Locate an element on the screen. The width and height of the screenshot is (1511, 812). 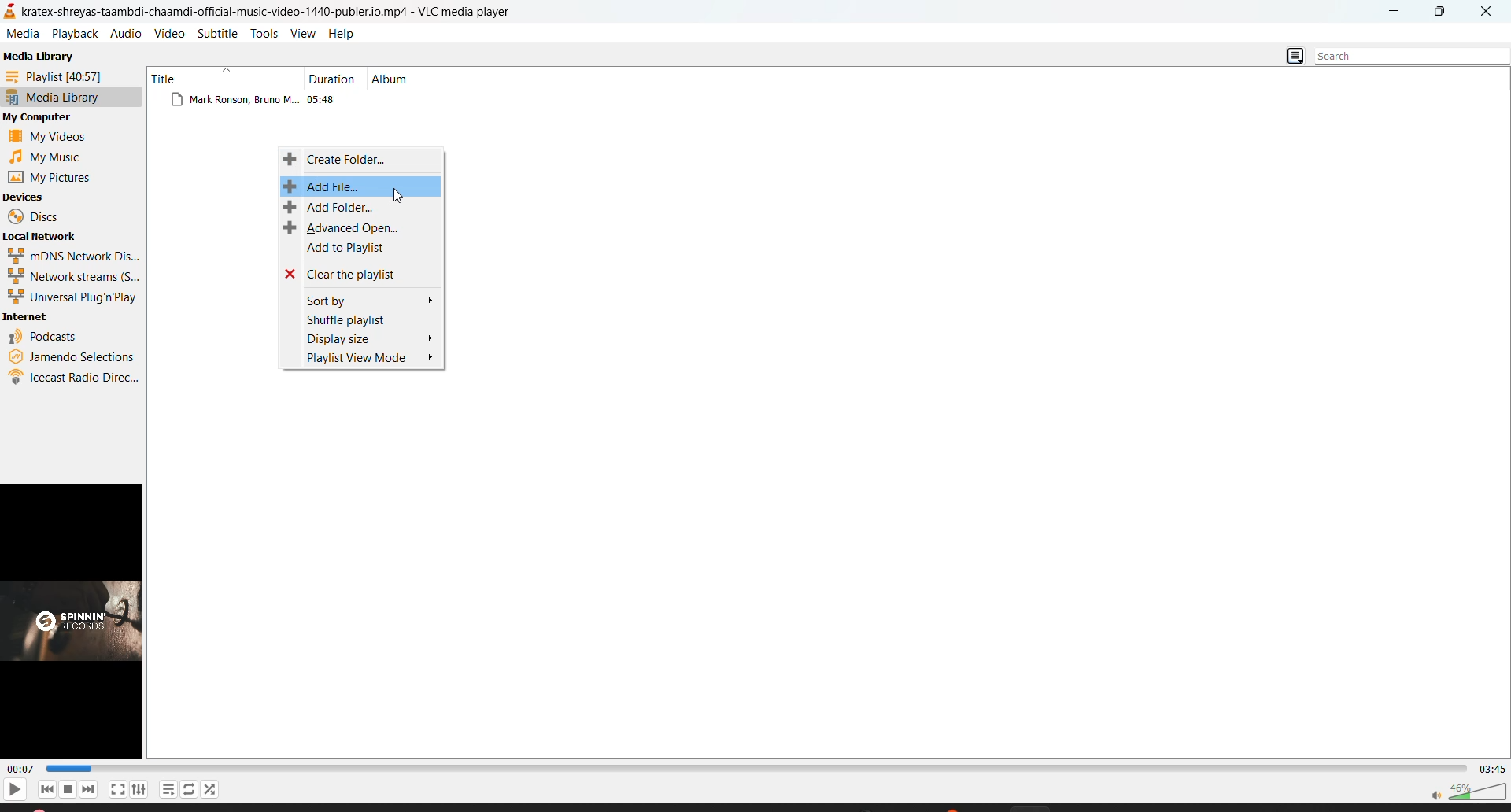
playlist view mode is located at coordinates (371, 359).